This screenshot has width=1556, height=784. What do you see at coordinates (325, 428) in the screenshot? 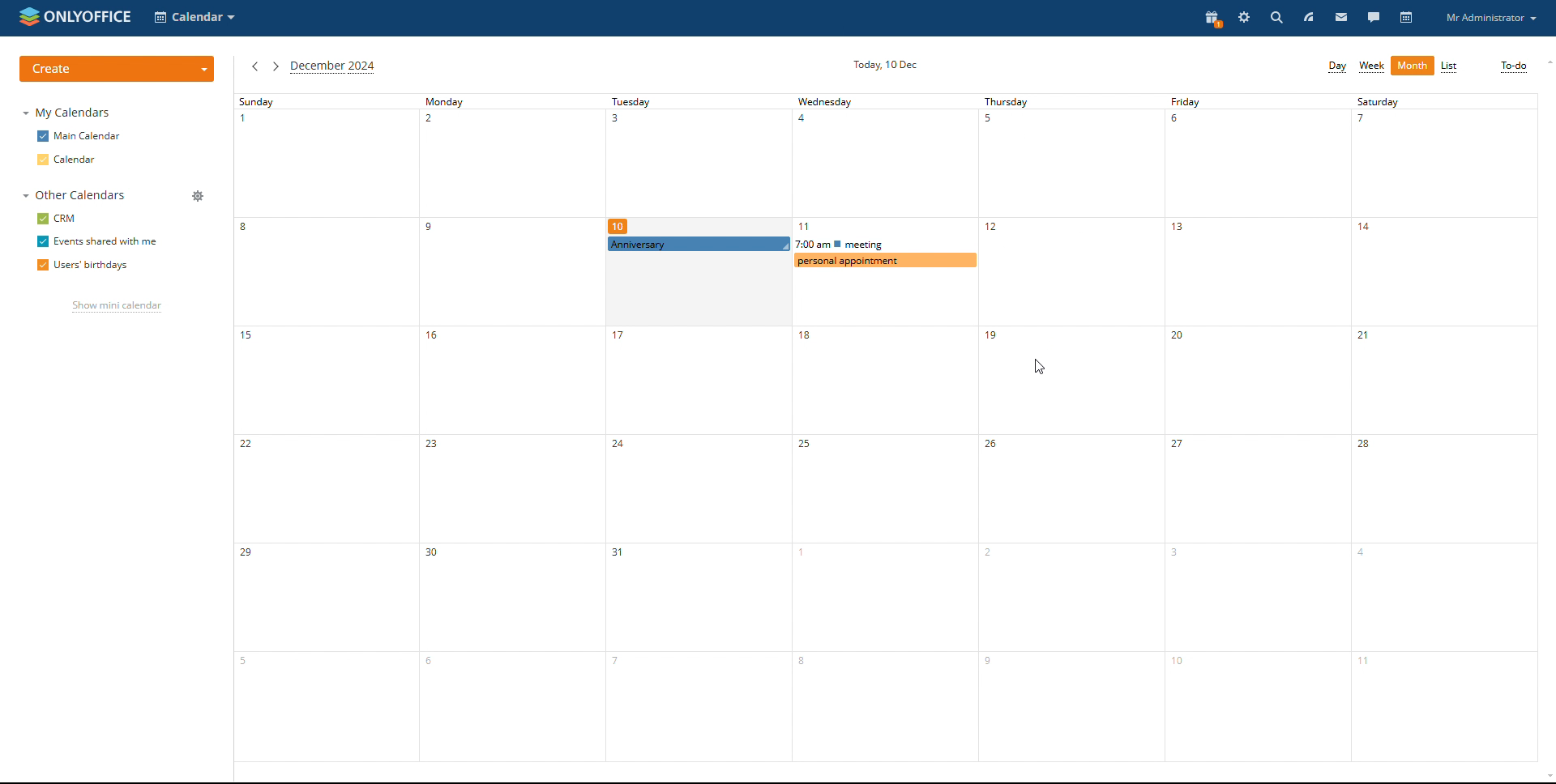
I see `sunday` at bounding box center [325, 428].